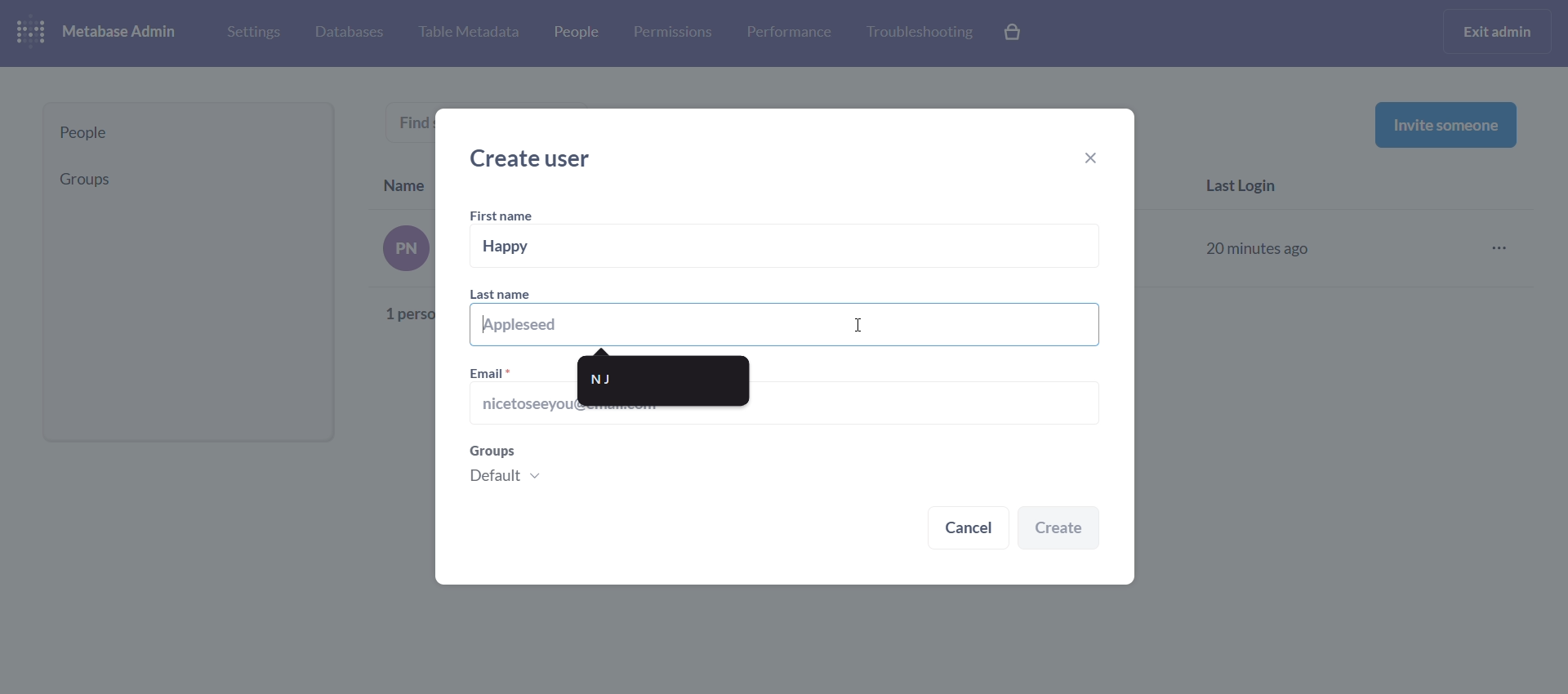 This screenshot has width=1568, height=694. Describe the element at coordinates (1504, 249) in the screenshot. I see `more` at that location.